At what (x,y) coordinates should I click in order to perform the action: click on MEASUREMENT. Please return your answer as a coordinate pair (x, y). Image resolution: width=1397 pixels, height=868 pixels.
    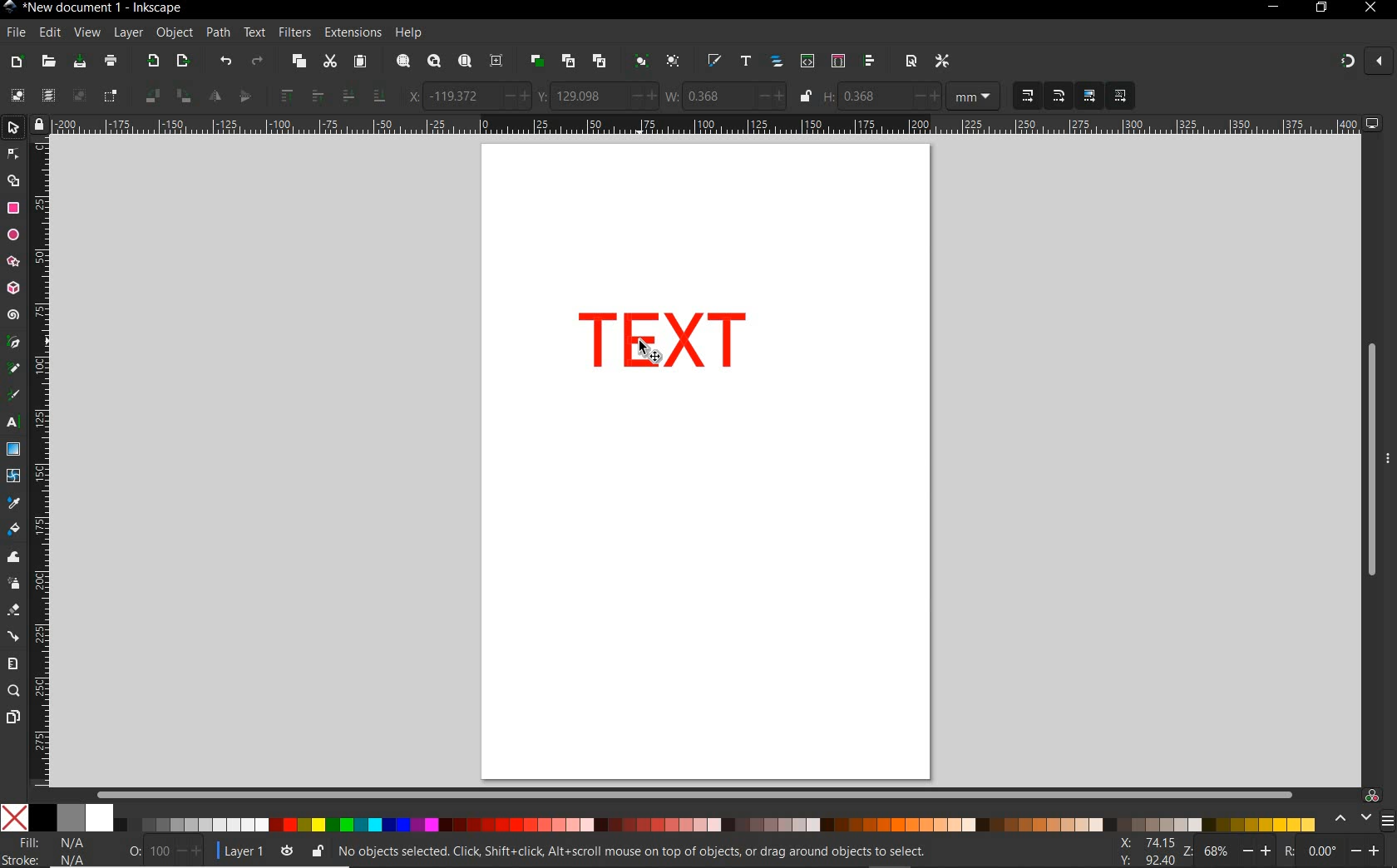
    Looking at the image, I should click on (974, 98).